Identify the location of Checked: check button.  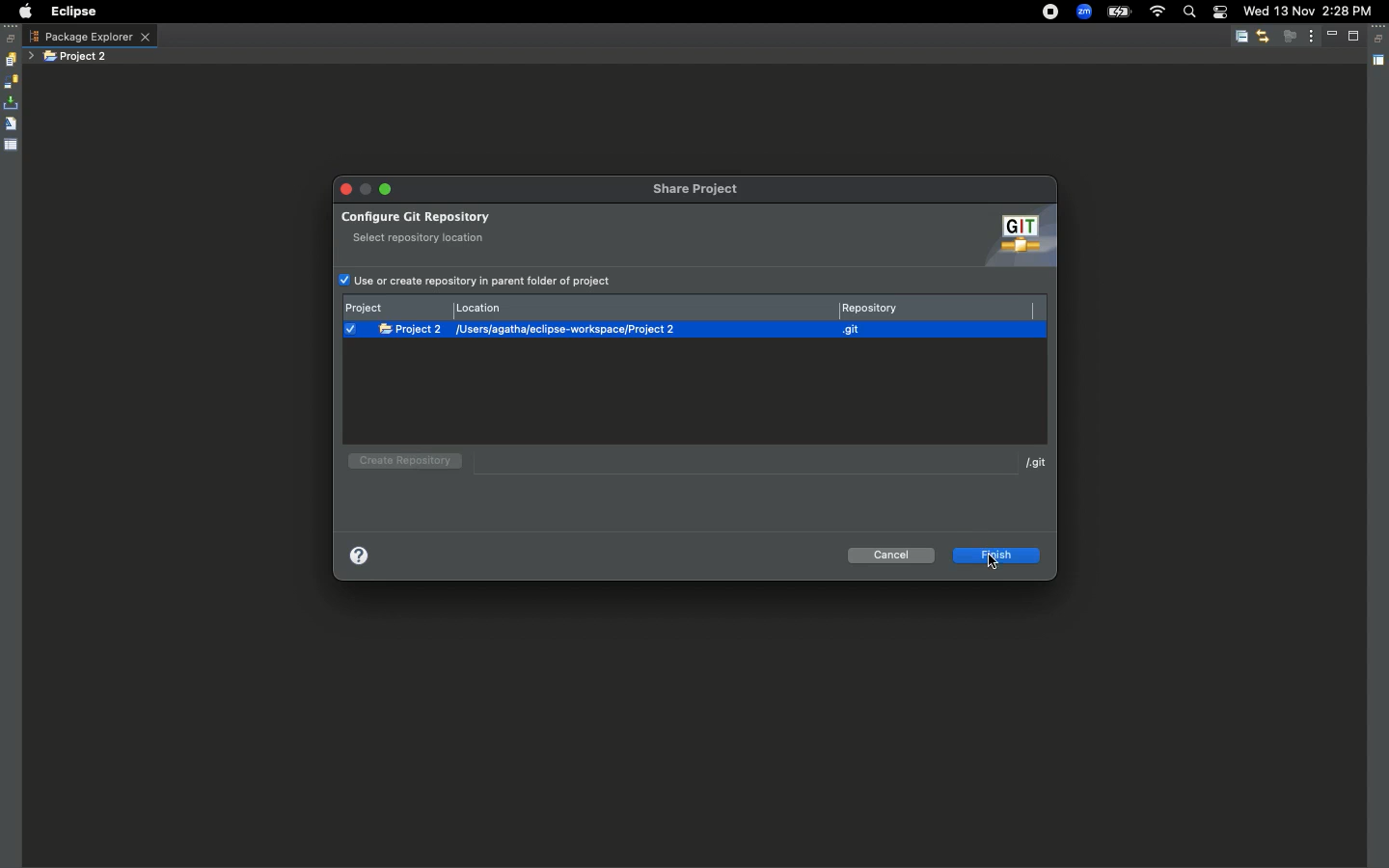
(343, 281).